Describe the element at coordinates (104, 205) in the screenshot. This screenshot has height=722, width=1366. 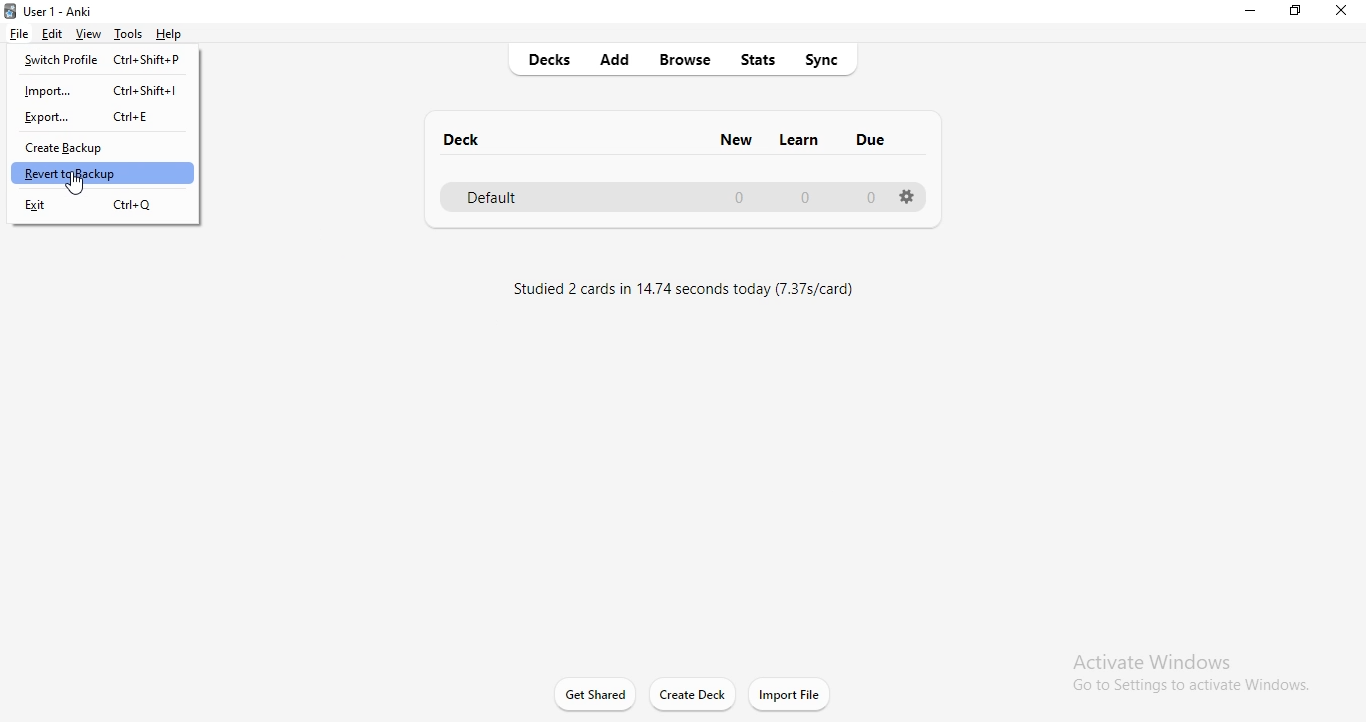
I see `exit` at that location.